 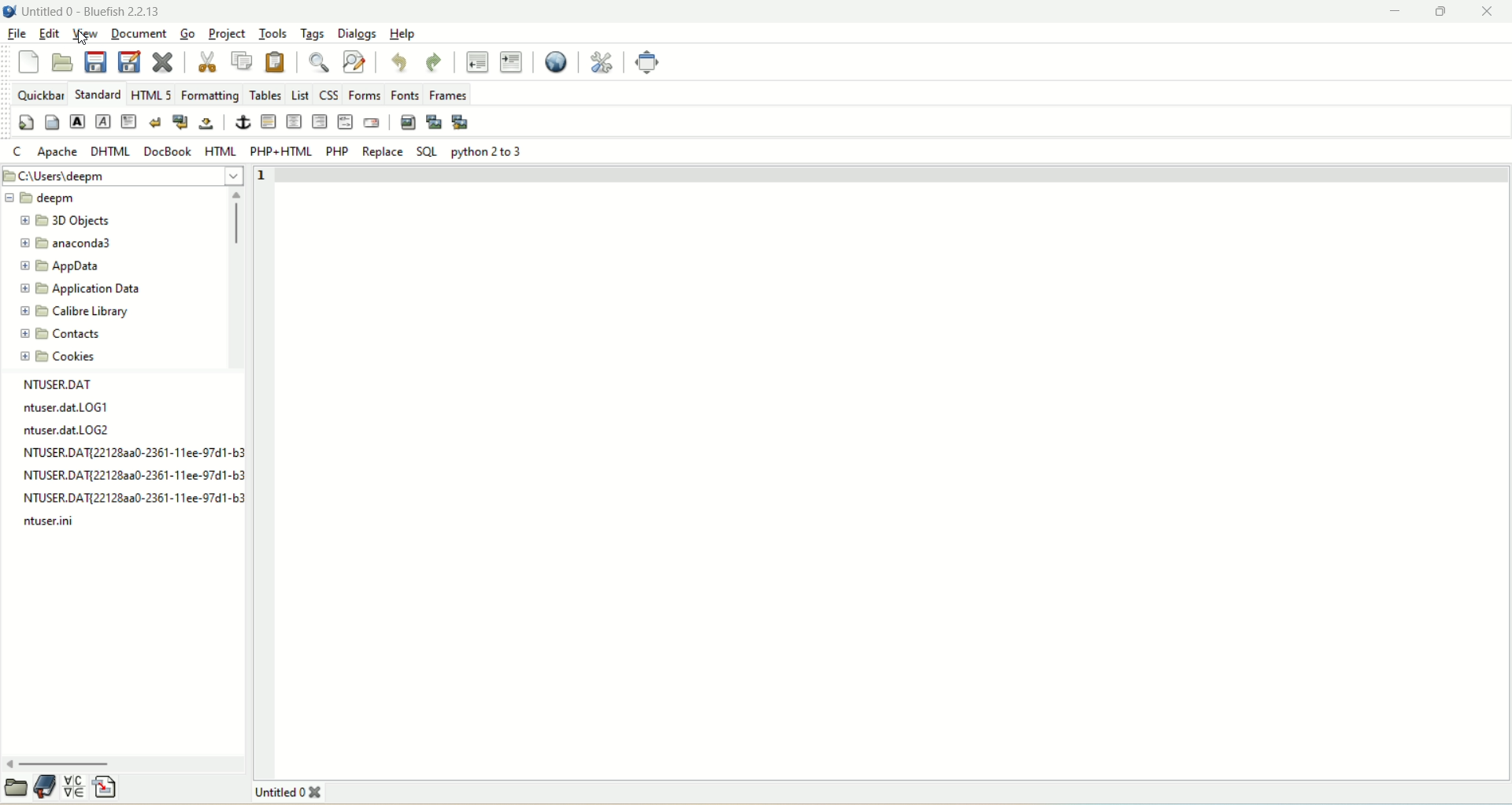 I want to click on python 2 to 3, so click(x=489, y=151).